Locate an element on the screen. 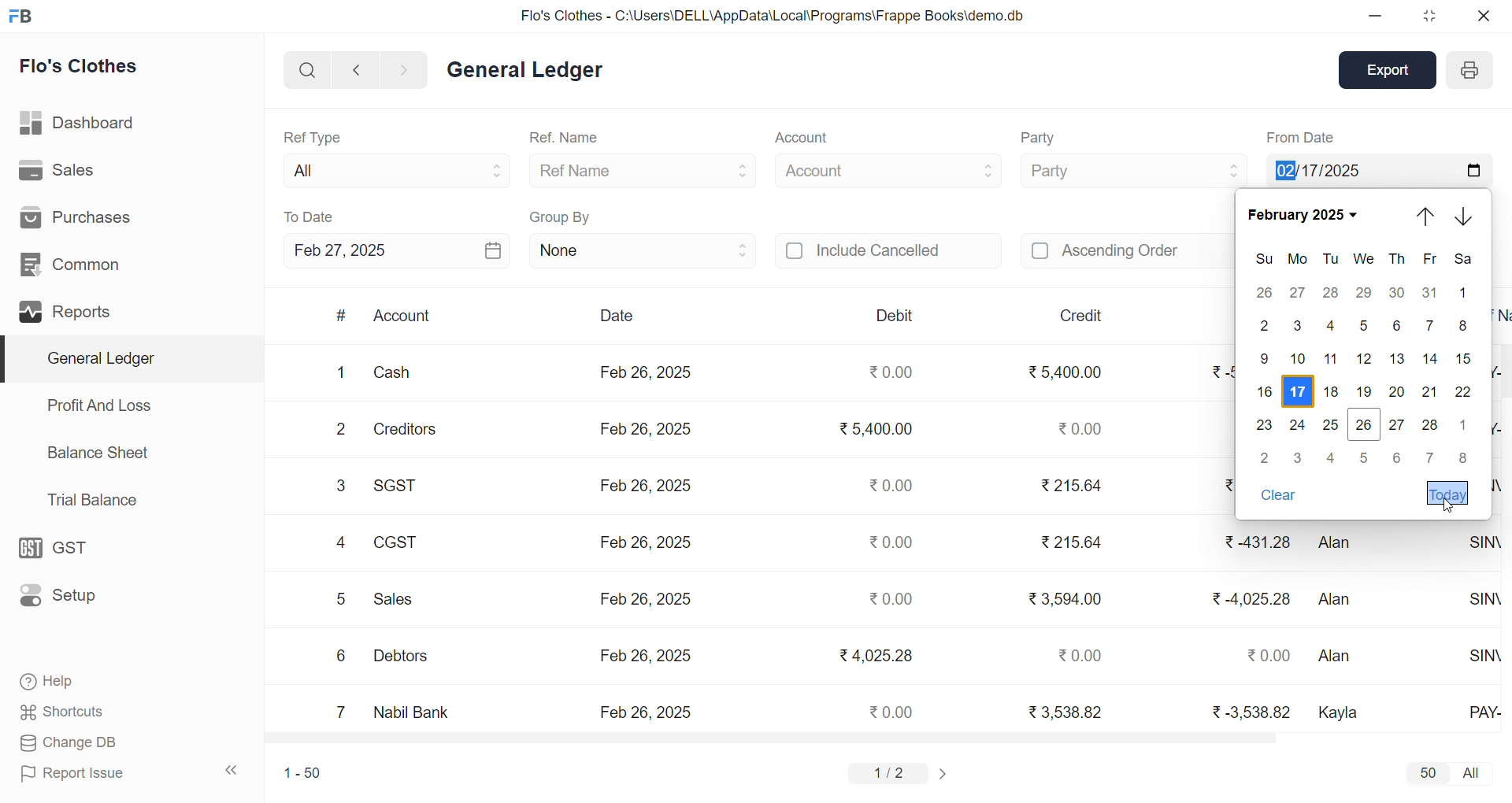  ₹0.00 is located at coordinates (1078, 427).